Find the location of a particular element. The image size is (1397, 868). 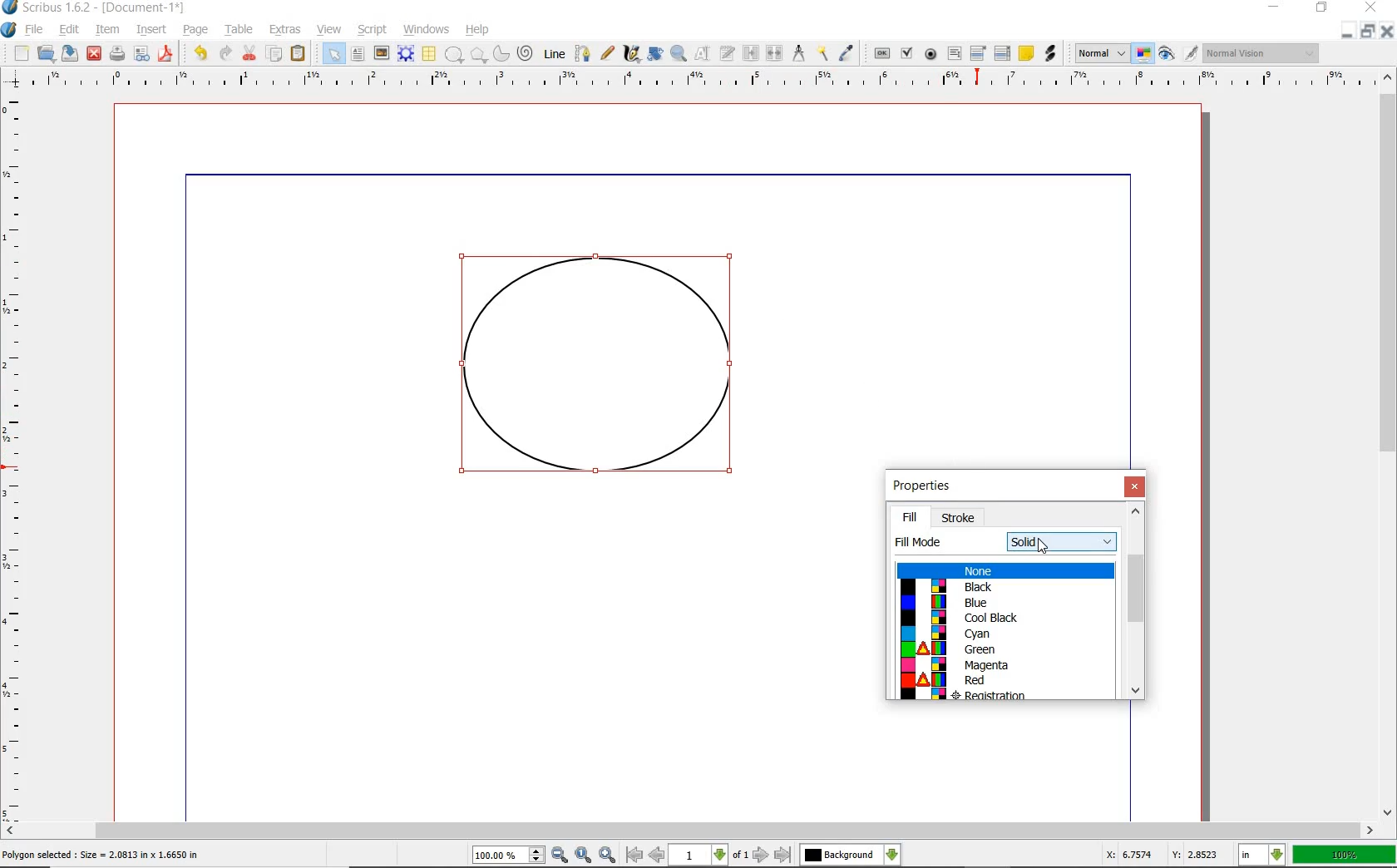

COPY is located at coordinates (276, 54).